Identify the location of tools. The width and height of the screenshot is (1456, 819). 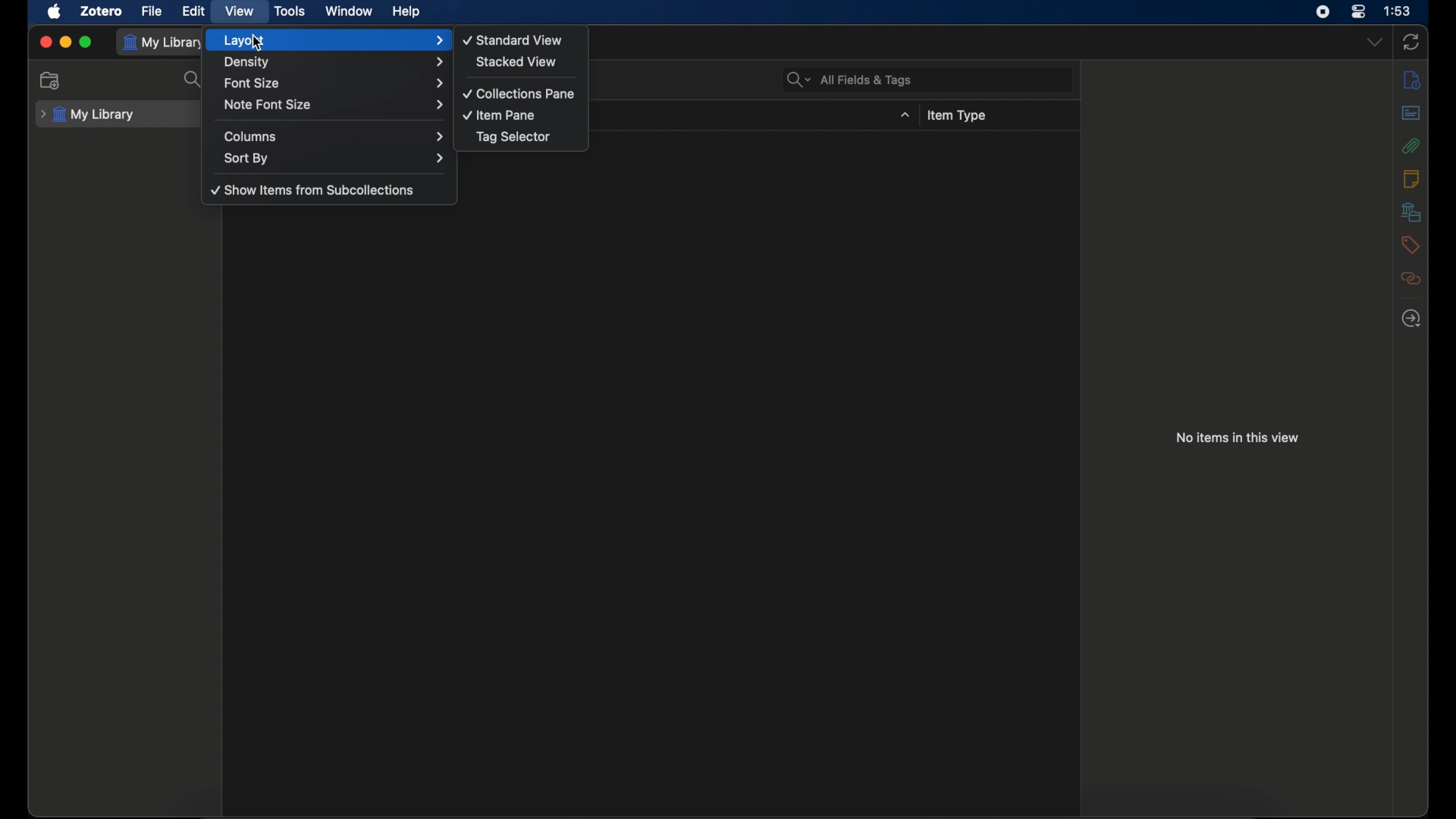
(290, 11).